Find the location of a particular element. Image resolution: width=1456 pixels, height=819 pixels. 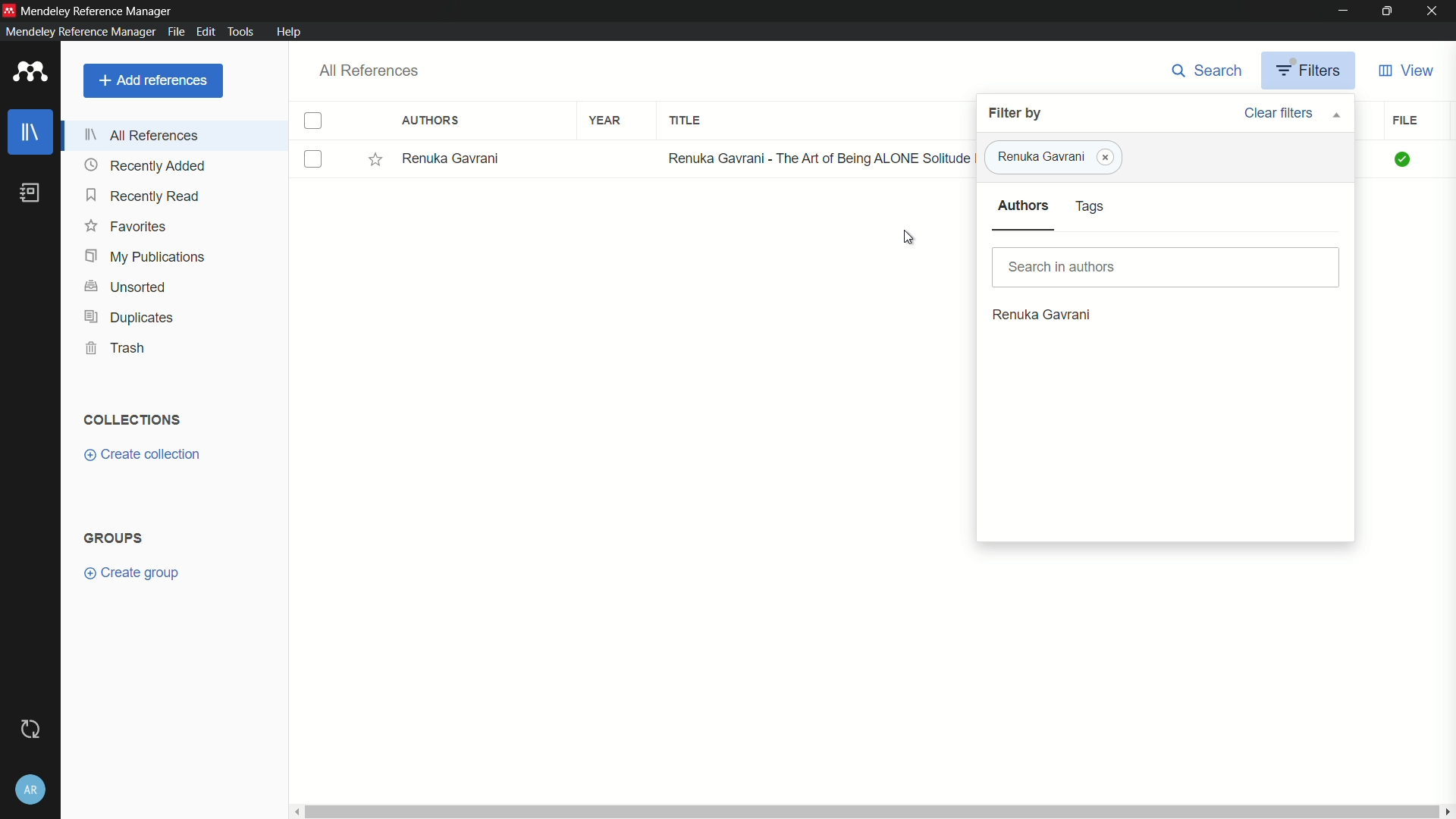

app icon is located at coordinates (9, 9).